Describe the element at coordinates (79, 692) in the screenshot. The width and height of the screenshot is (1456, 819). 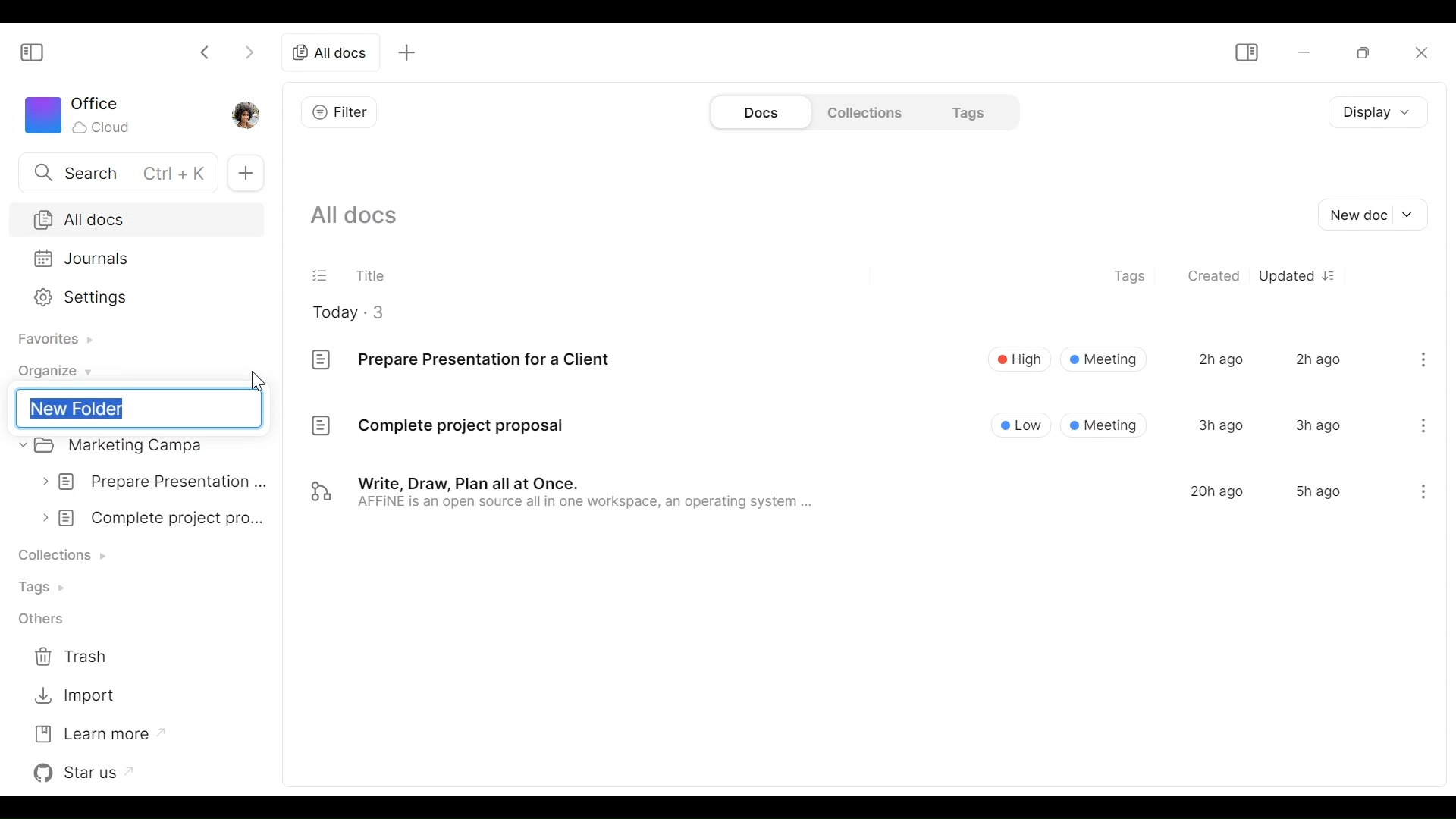
I see `Import` at that location.